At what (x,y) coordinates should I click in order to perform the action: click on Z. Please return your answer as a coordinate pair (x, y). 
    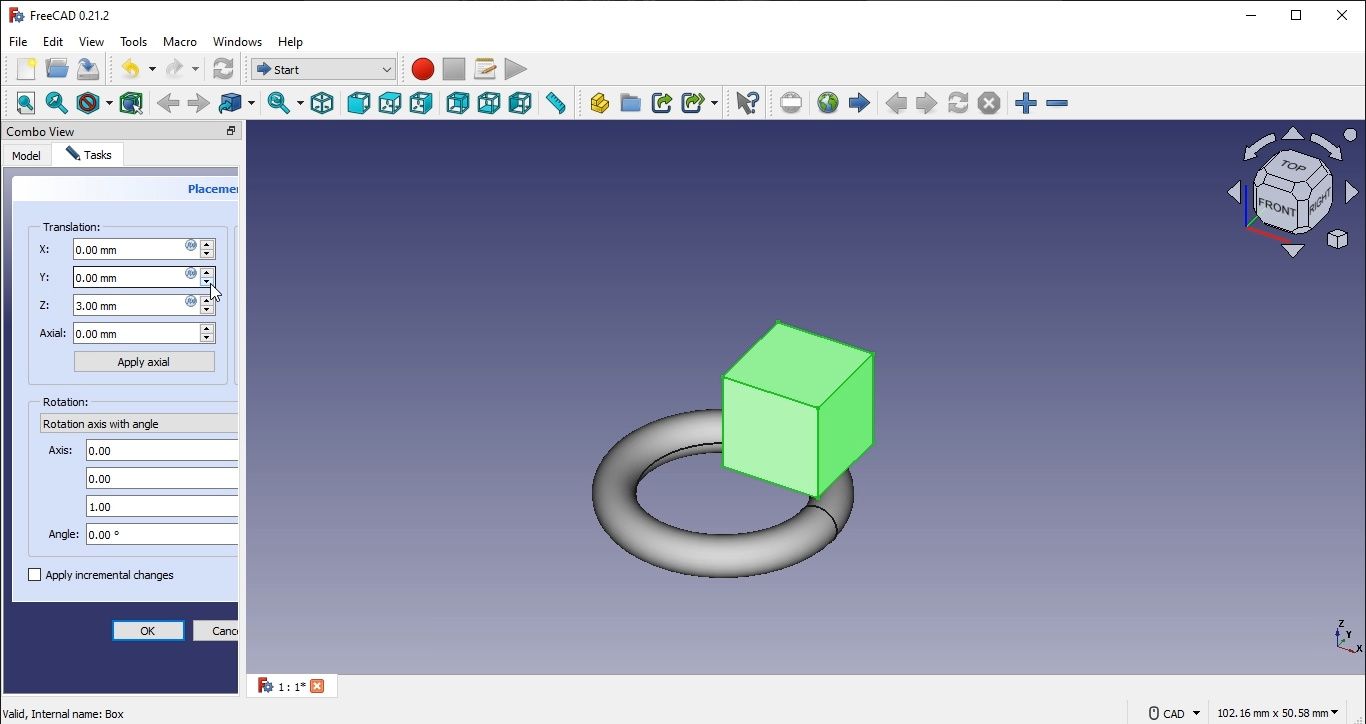
    Looking at the image, I should click on (132, 305).